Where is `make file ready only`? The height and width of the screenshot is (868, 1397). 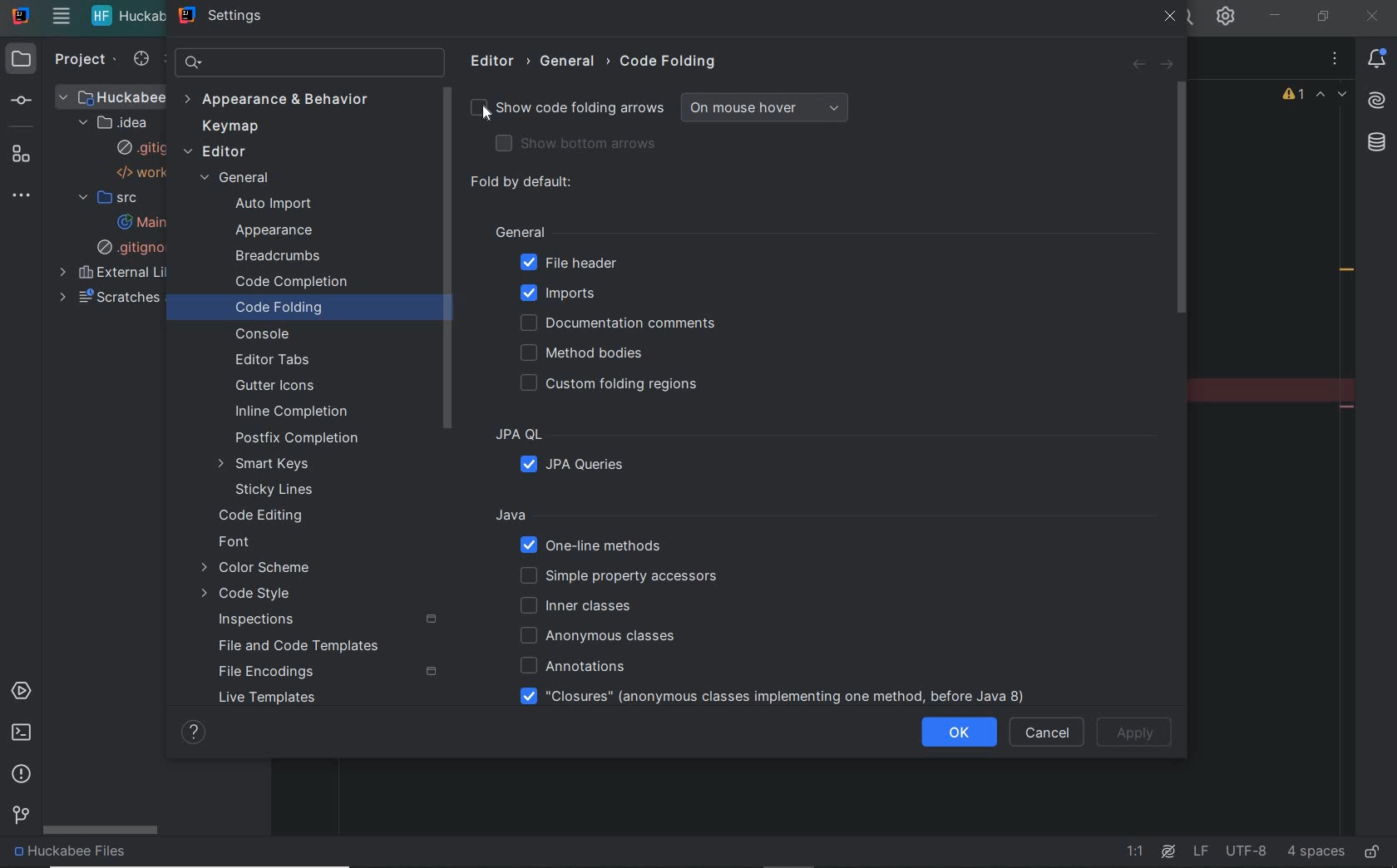
make file ready only is located at coordinates (1373, 852).